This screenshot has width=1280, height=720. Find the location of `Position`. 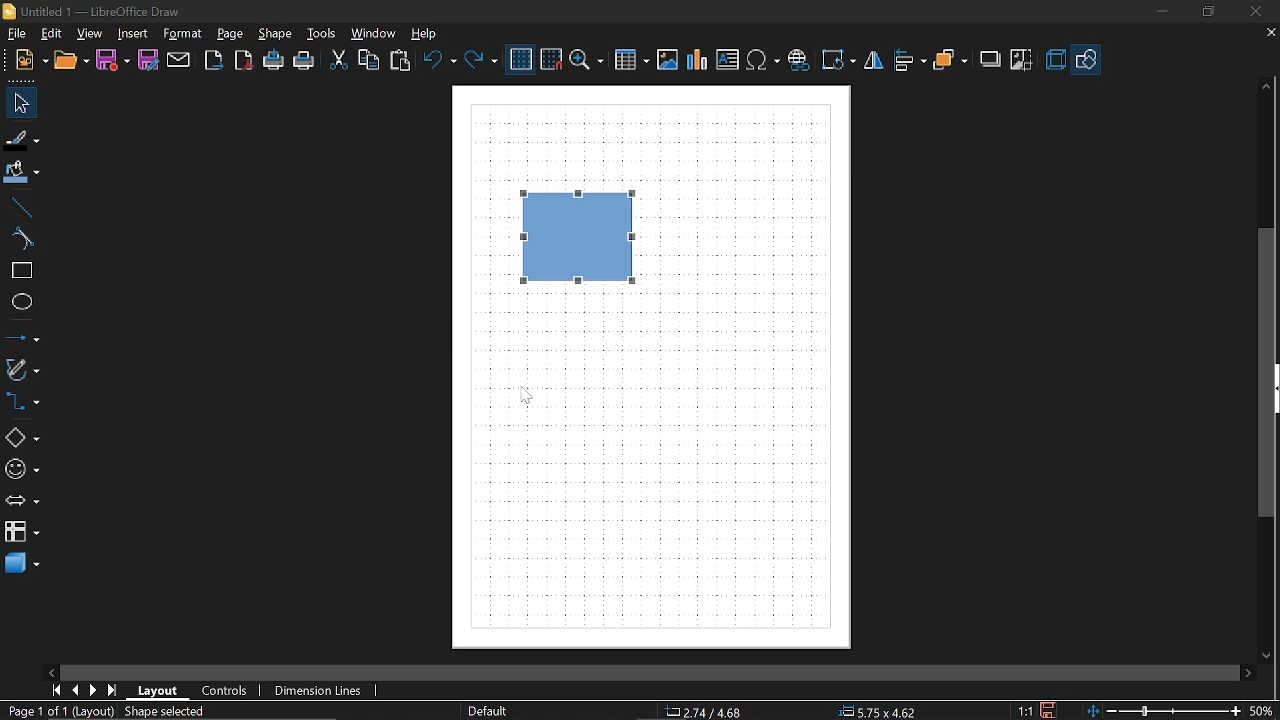

Position is located at coordinates (874, 711).